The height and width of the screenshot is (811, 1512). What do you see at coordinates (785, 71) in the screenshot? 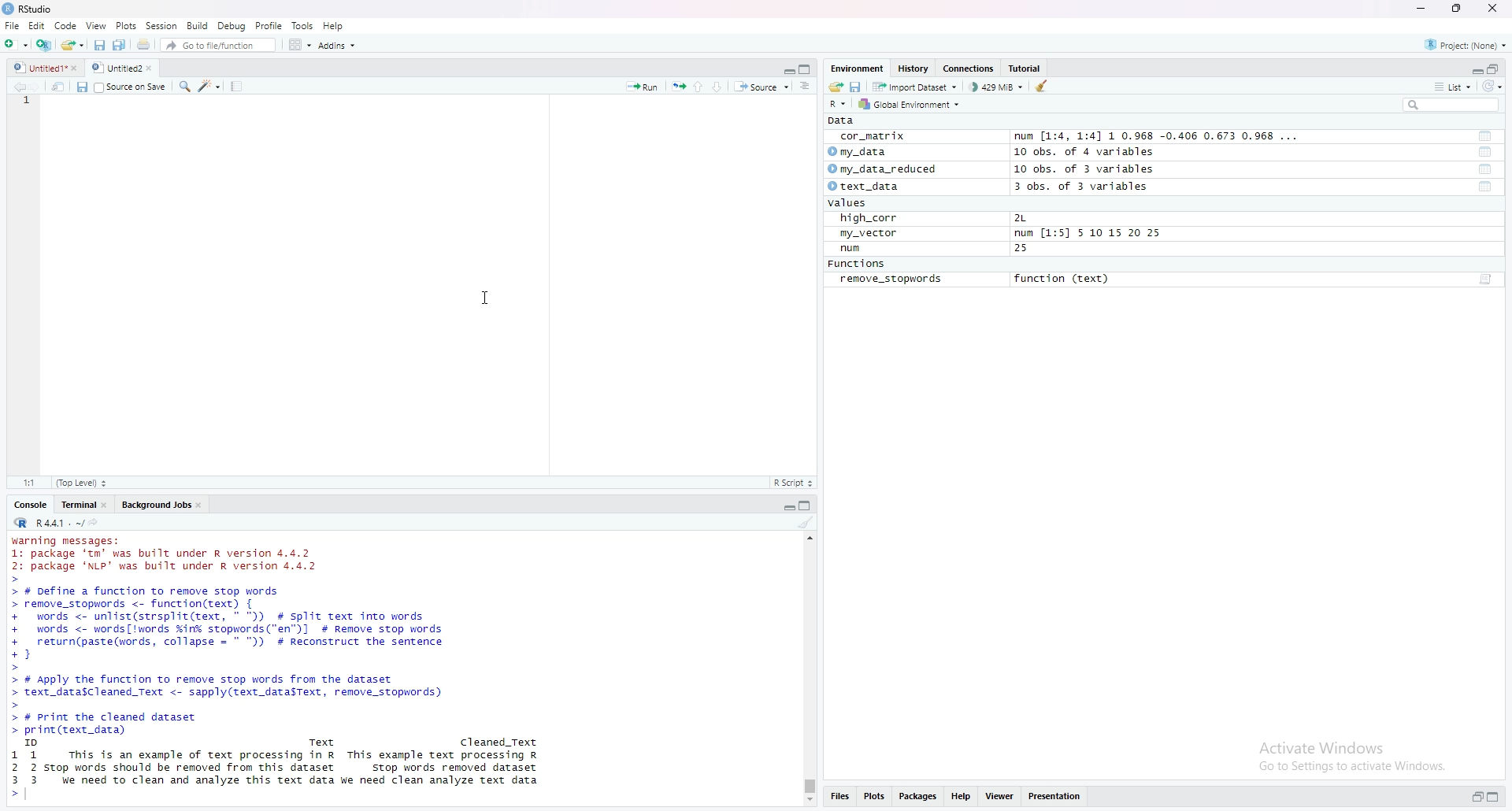
I see `minimize` at bounding box center [785, 71].